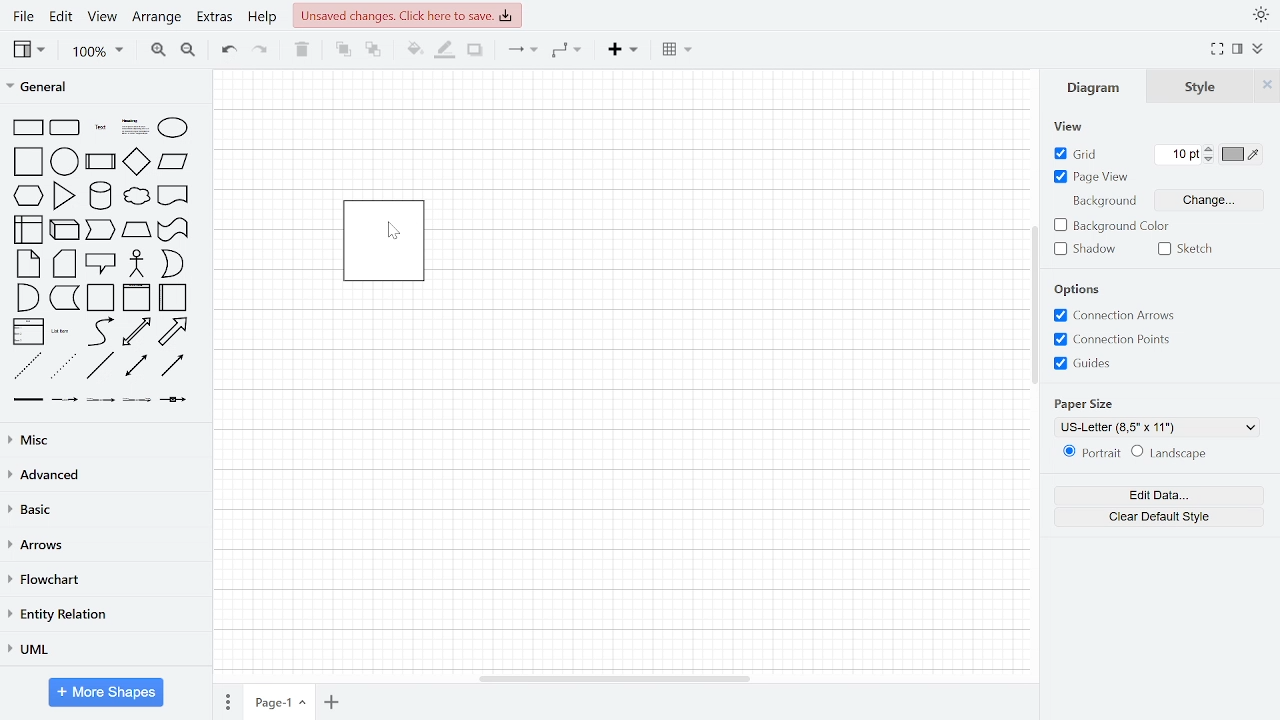 The width and height of the screenshot is (1280, 720). Describe the element at coordinates (614, 678) in the screenshot. I see `horizontal scrollbar` at that location.